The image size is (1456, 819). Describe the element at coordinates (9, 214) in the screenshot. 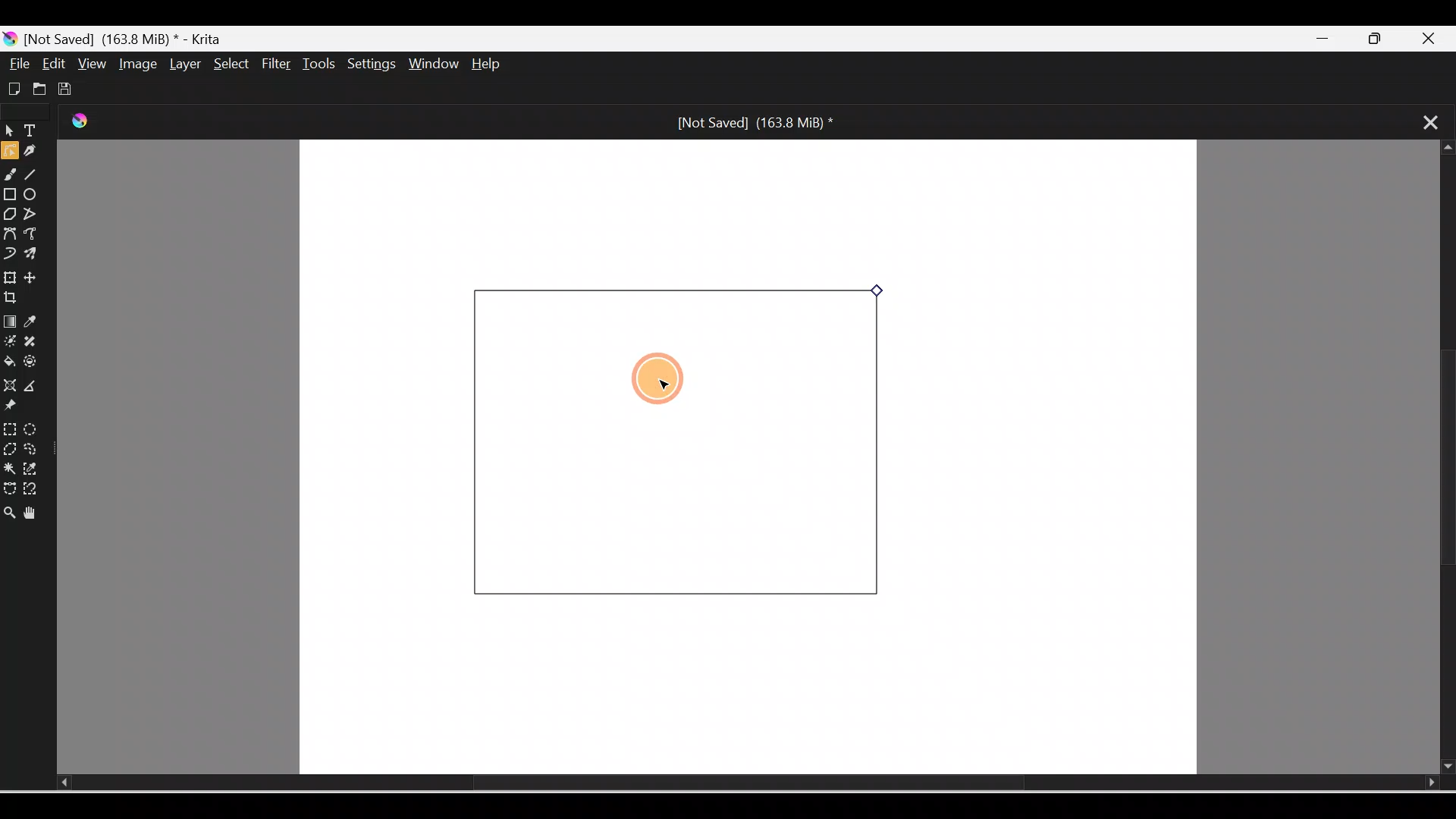

I see `Polygon` at that location.